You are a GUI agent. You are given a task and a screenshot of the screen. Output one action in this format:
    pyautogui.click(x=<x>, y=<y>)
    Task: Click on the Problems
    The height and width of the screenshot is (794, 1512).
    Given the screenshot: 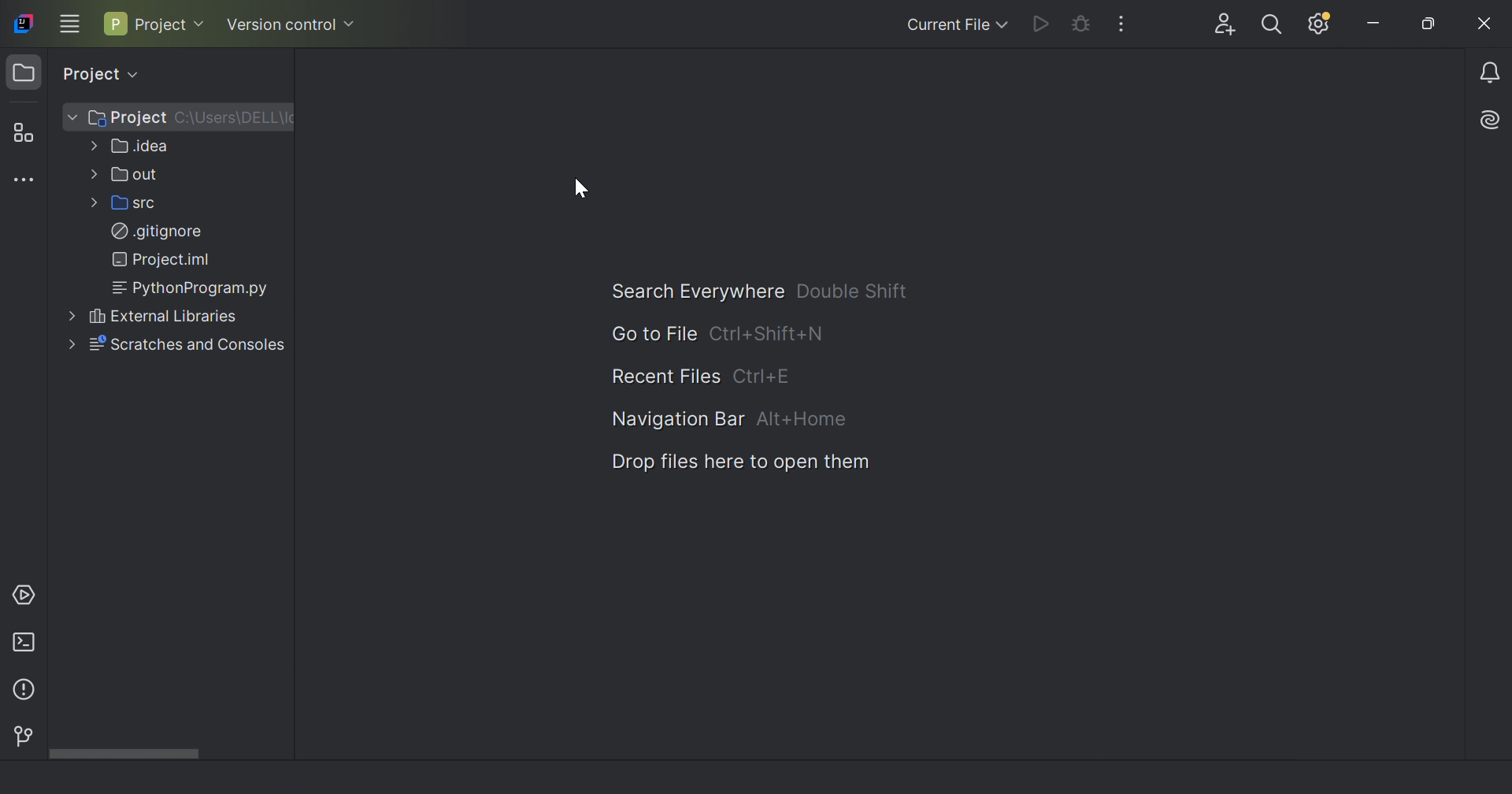 What is the action you would take?
    pyautogui.click(x=22, y=692)
    